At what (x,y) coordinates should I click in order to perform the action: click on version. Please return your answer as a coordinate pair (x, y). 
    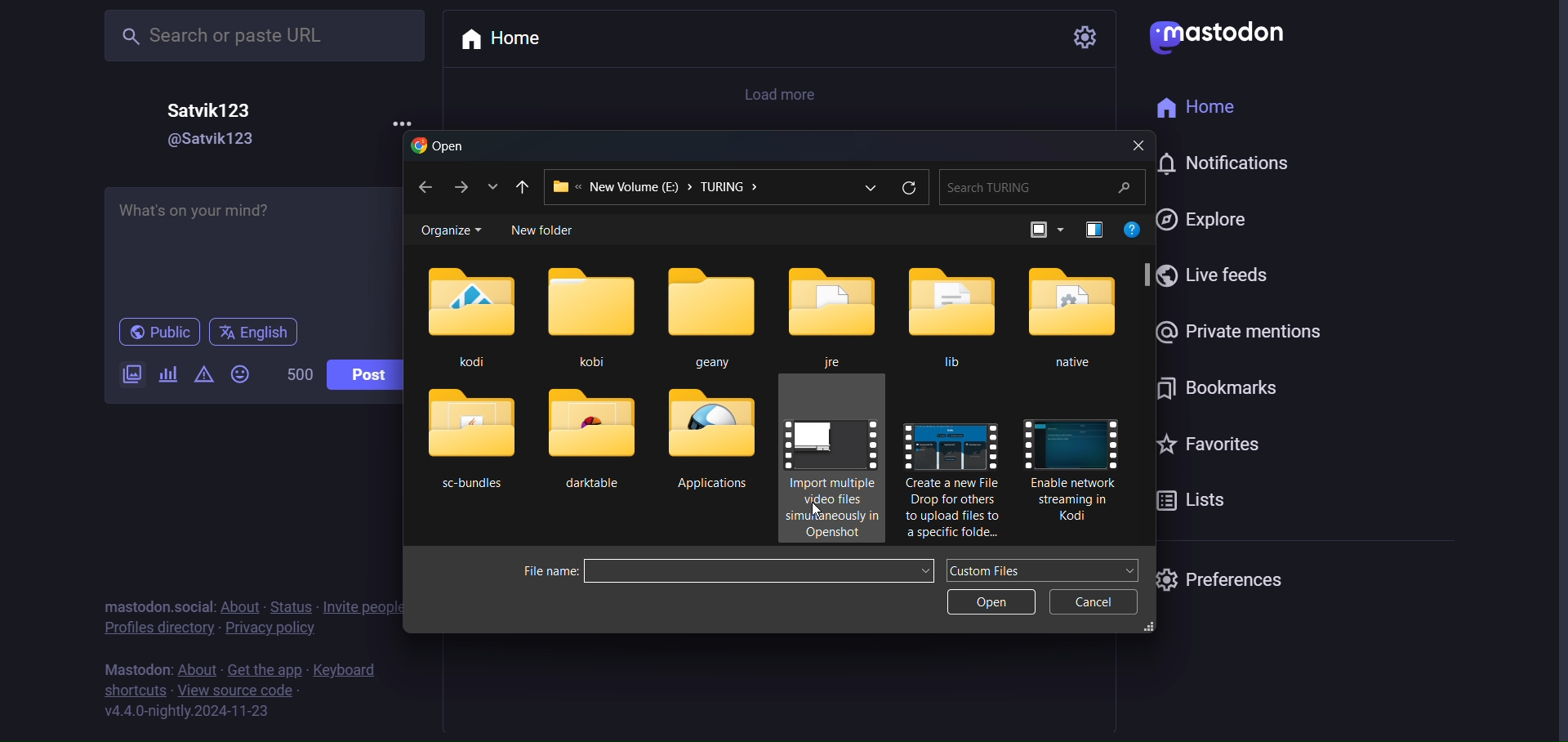
    Looking at the image, I should click on (186, 713).